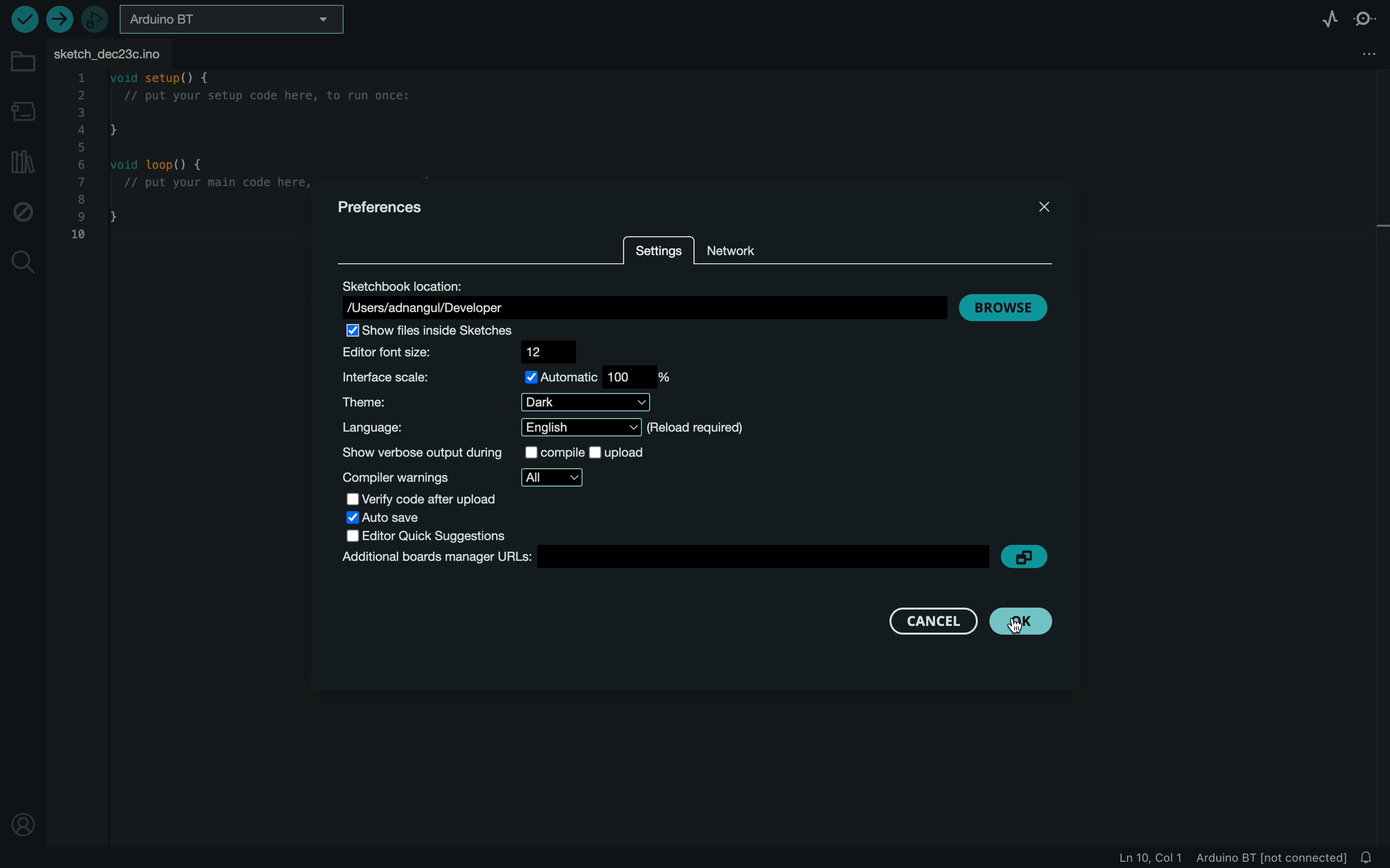 Image resolution: width=1390 pixels, height=868 pixels. Describe the element at coordinates (1041, 206) in the screenshot. I see `close` at that location.